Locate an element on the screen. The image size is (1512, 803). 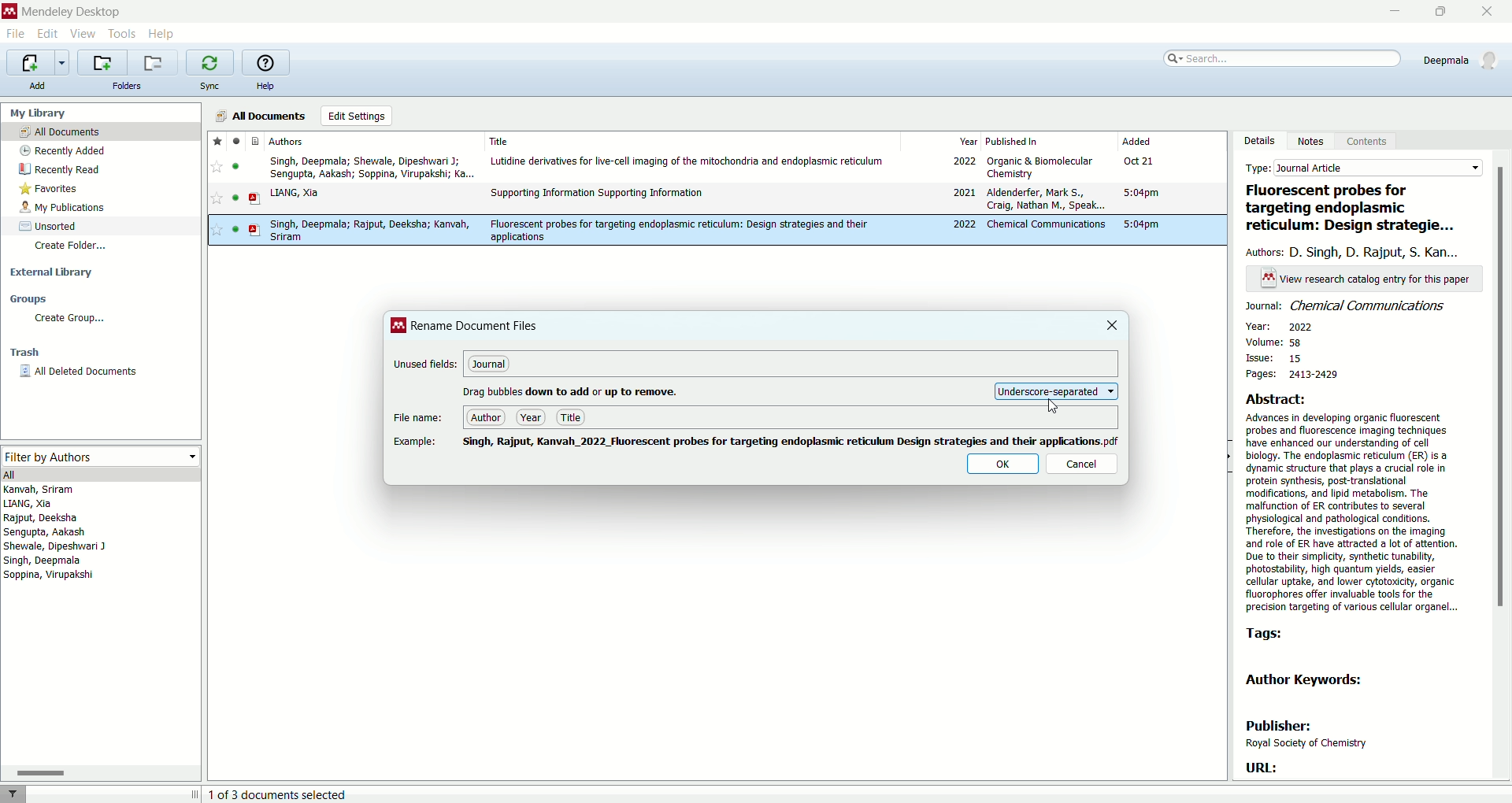
ok is located at coordinates (1000, 464).